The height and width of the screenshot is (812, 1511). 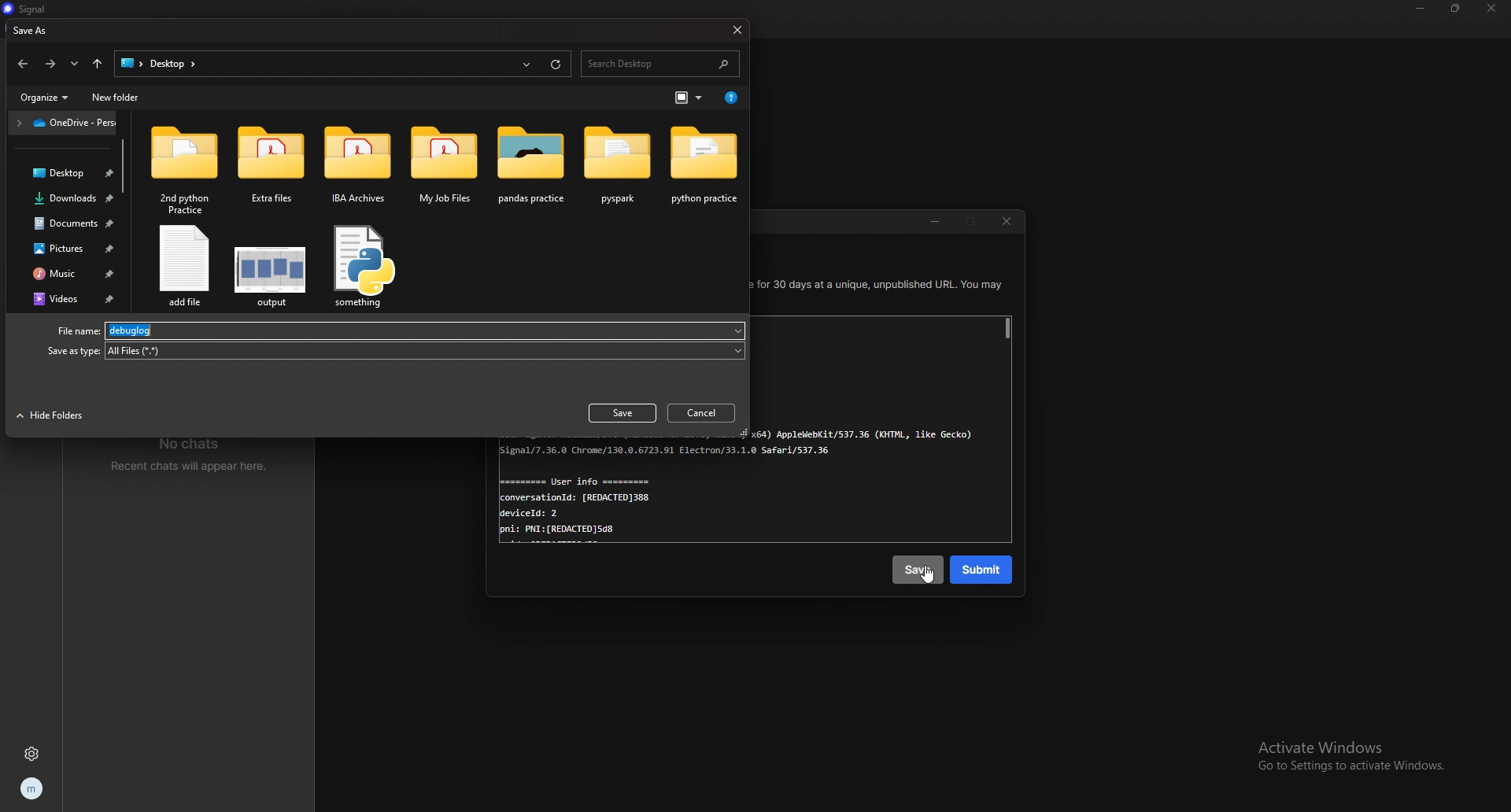 I want to click on folder, so click(x=185, y=168).